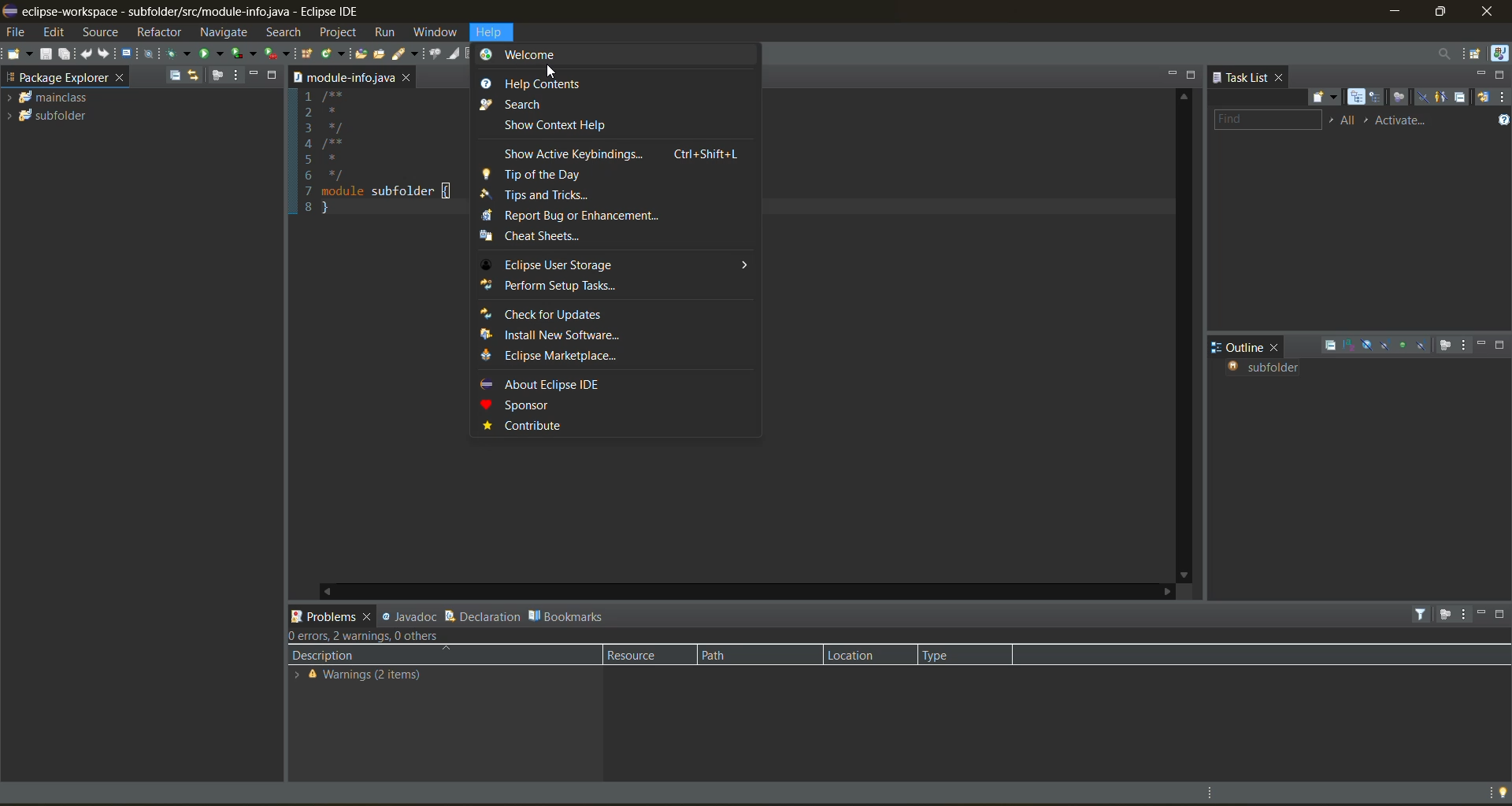 This screenshot has height=806, width=1512. I want to click on welcome, so click(547, 57).